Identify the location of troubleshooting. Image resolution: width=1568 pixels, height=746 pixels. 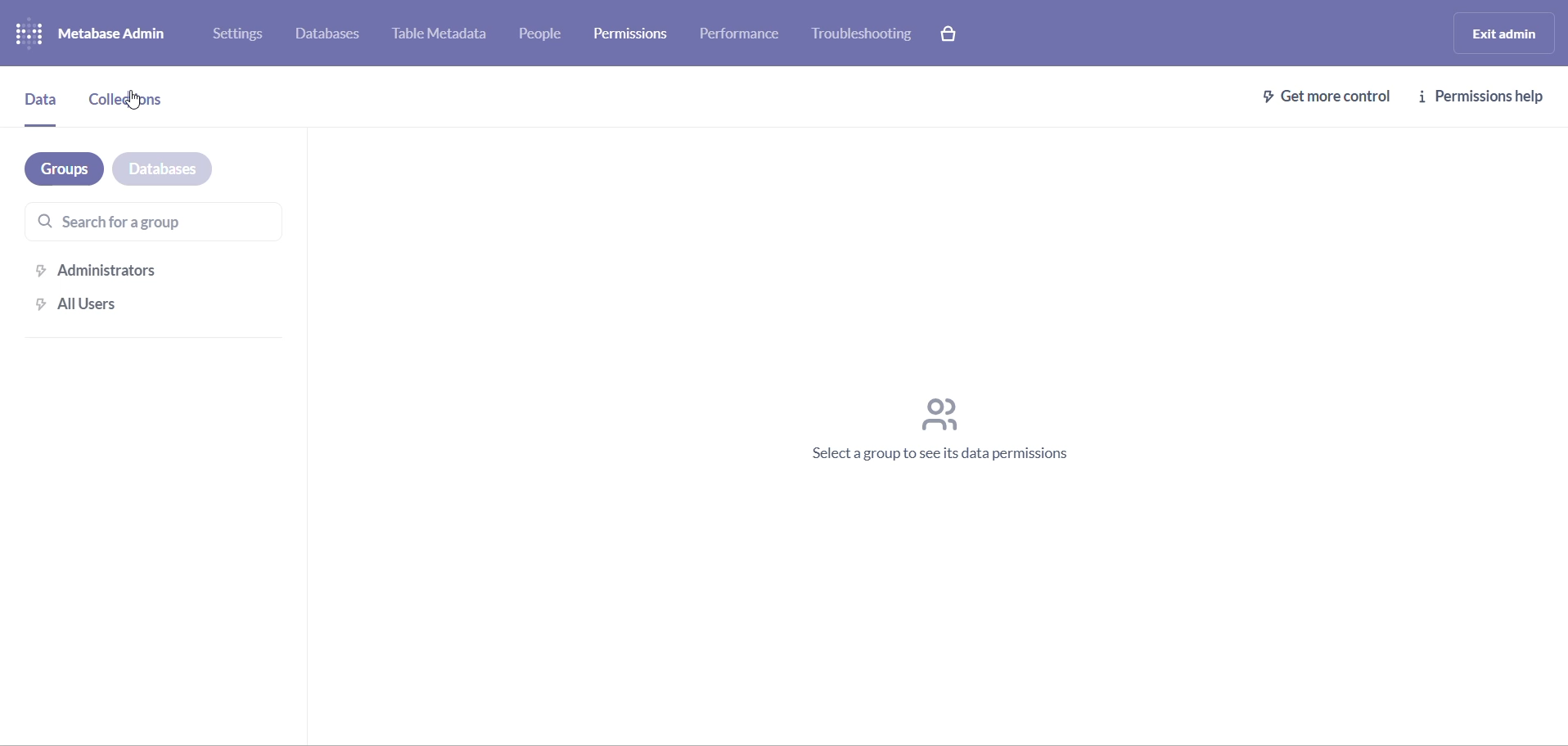
(863, 34).